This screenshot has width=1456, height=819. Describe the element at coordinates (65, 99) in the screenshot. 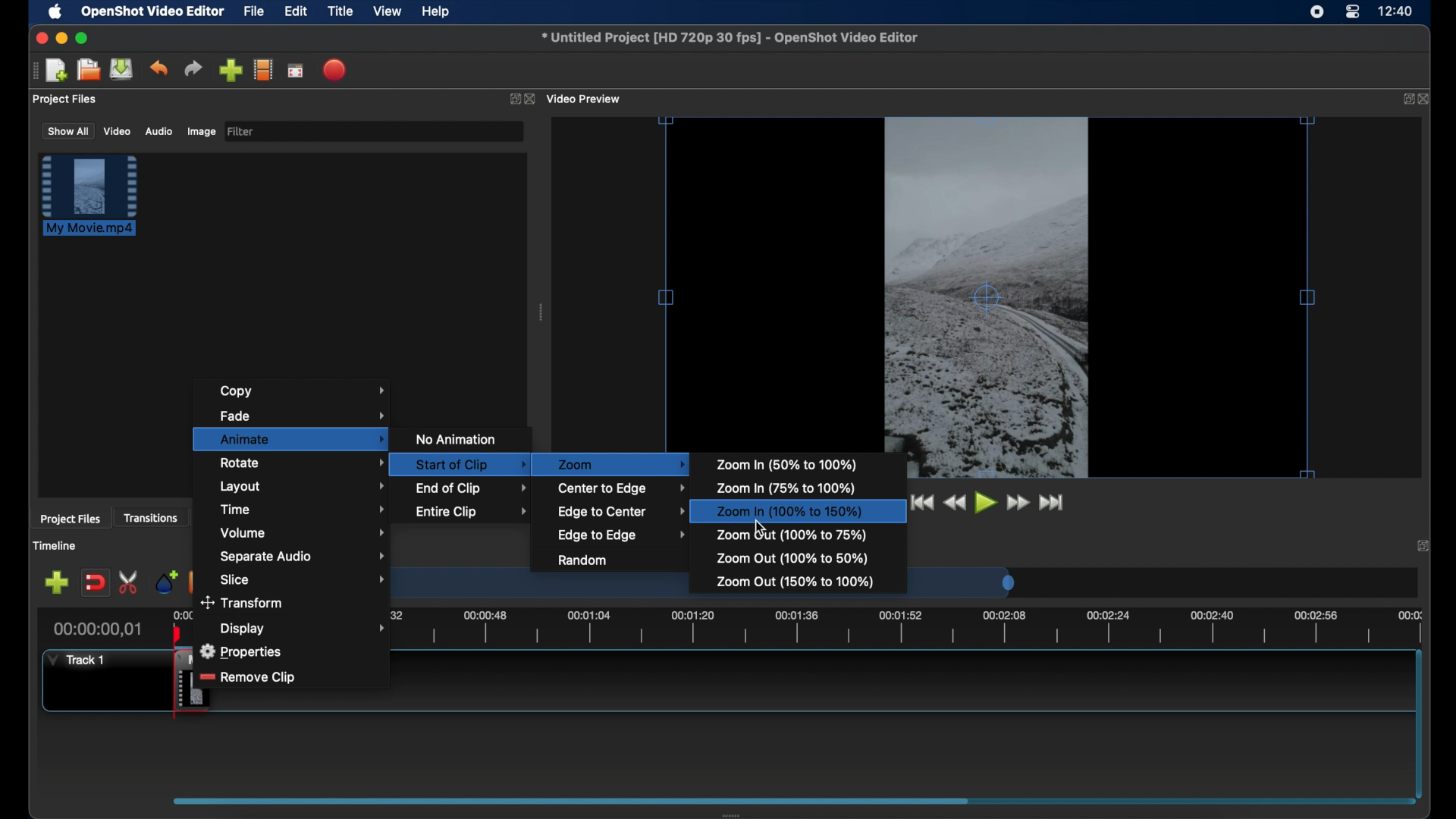

I see `project files` at that location.